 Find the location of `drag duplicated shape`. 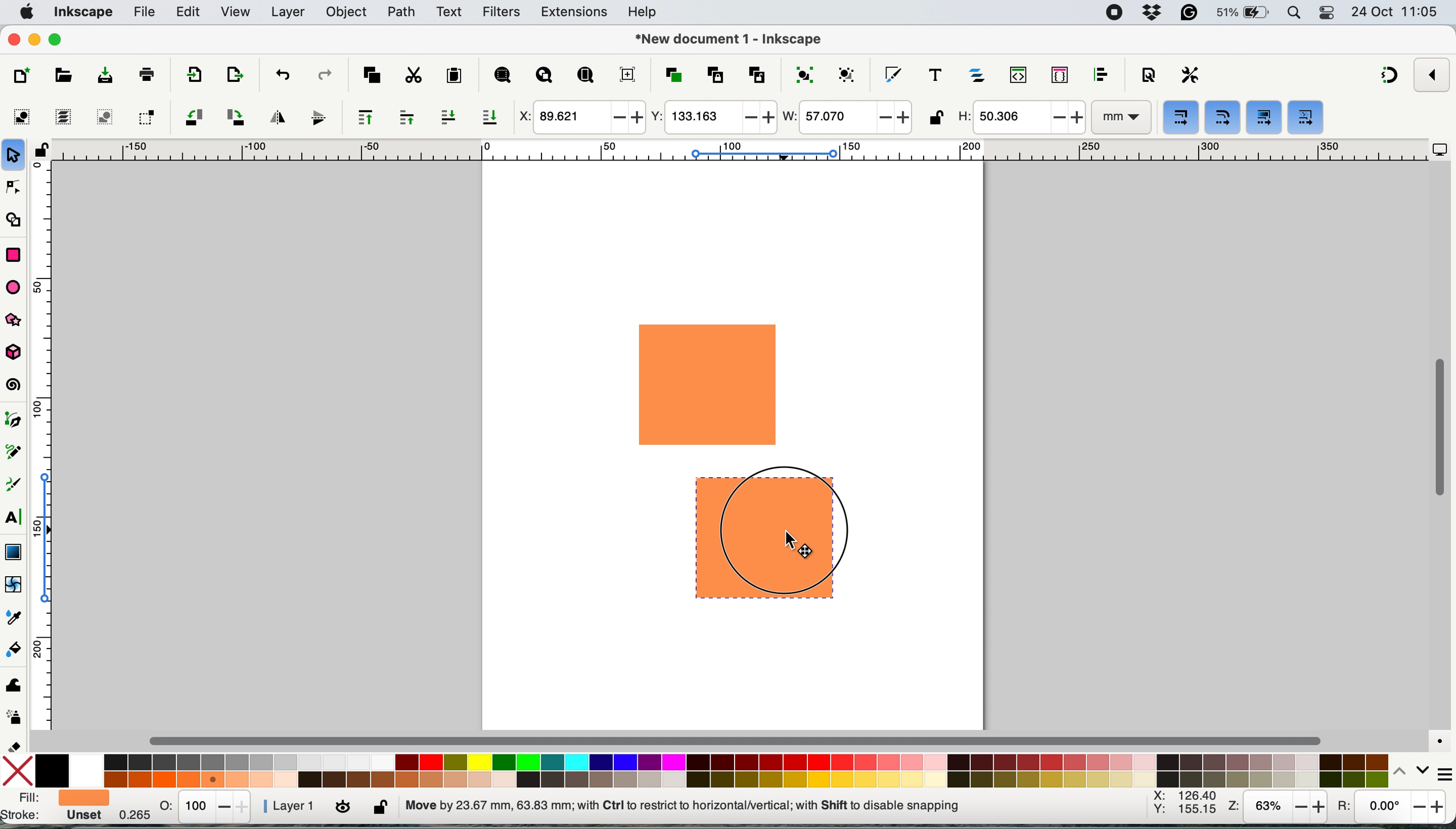

drag duplicated shape is located at coordinates (761, 537).